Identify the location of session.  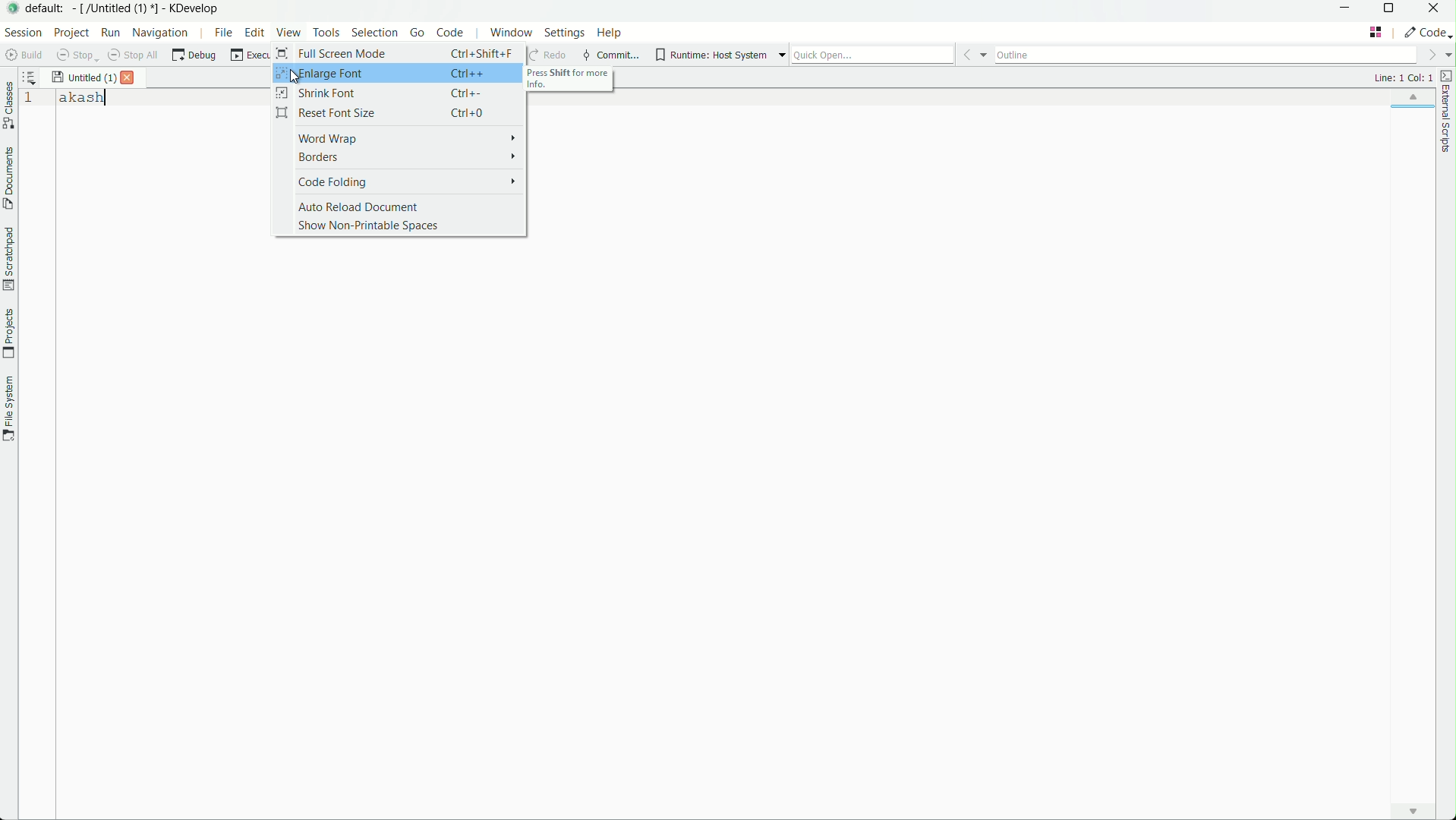
(24, 33).